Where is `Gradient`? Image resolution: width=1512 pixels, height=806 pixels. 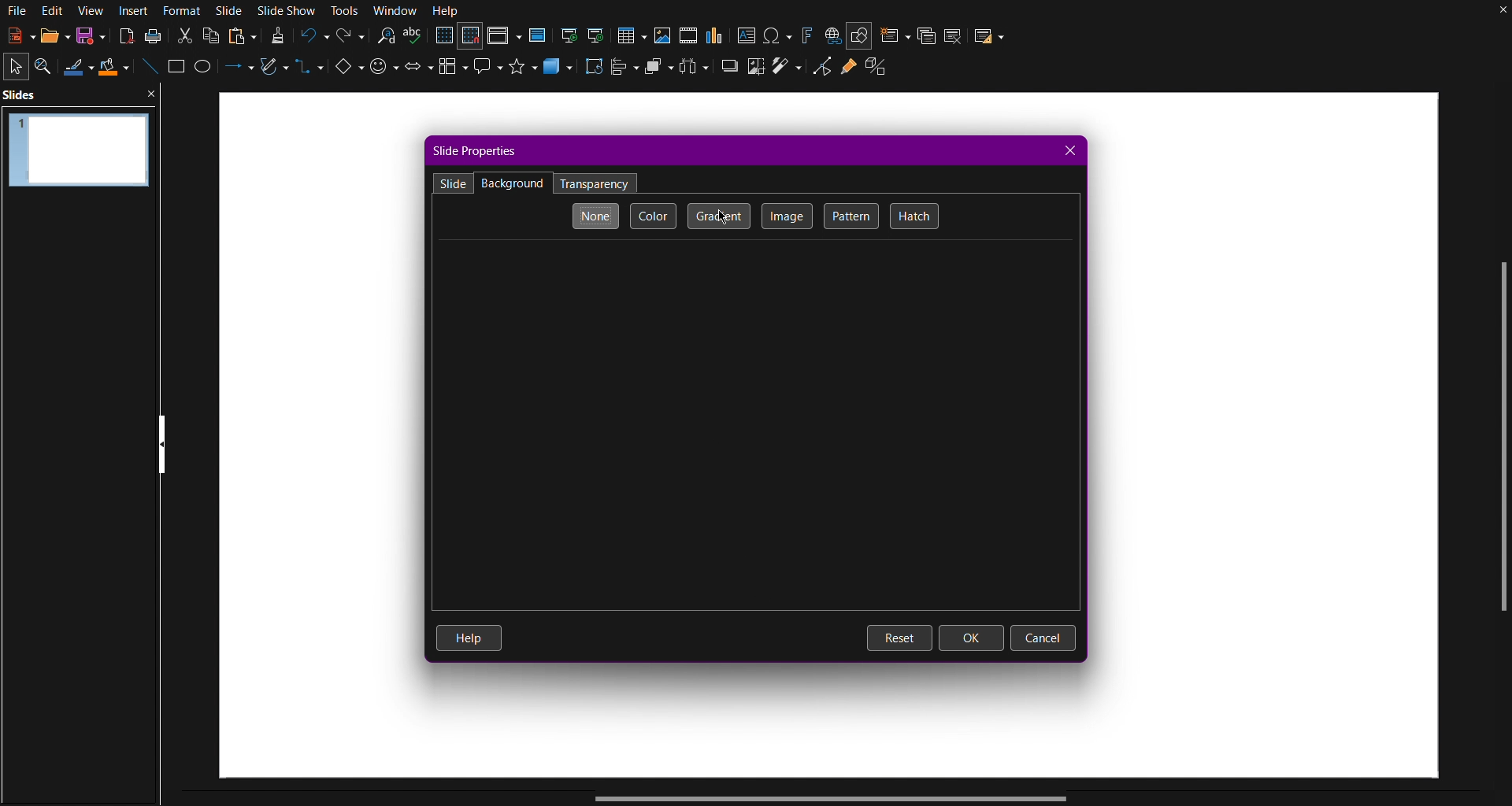 Gradient is located at coordinates (717, 217).